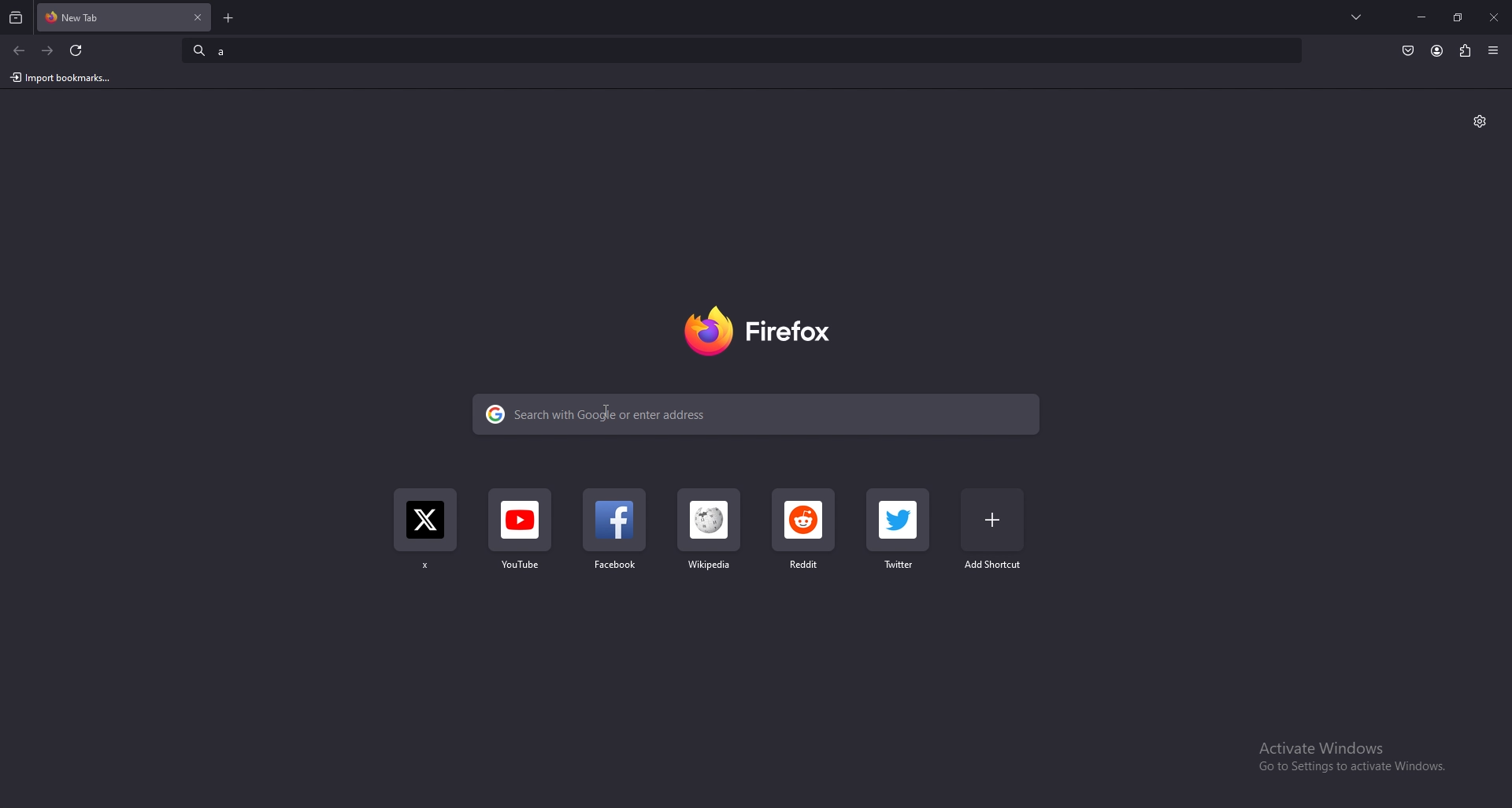  I want to click on add shortcut, so click(992, 529).